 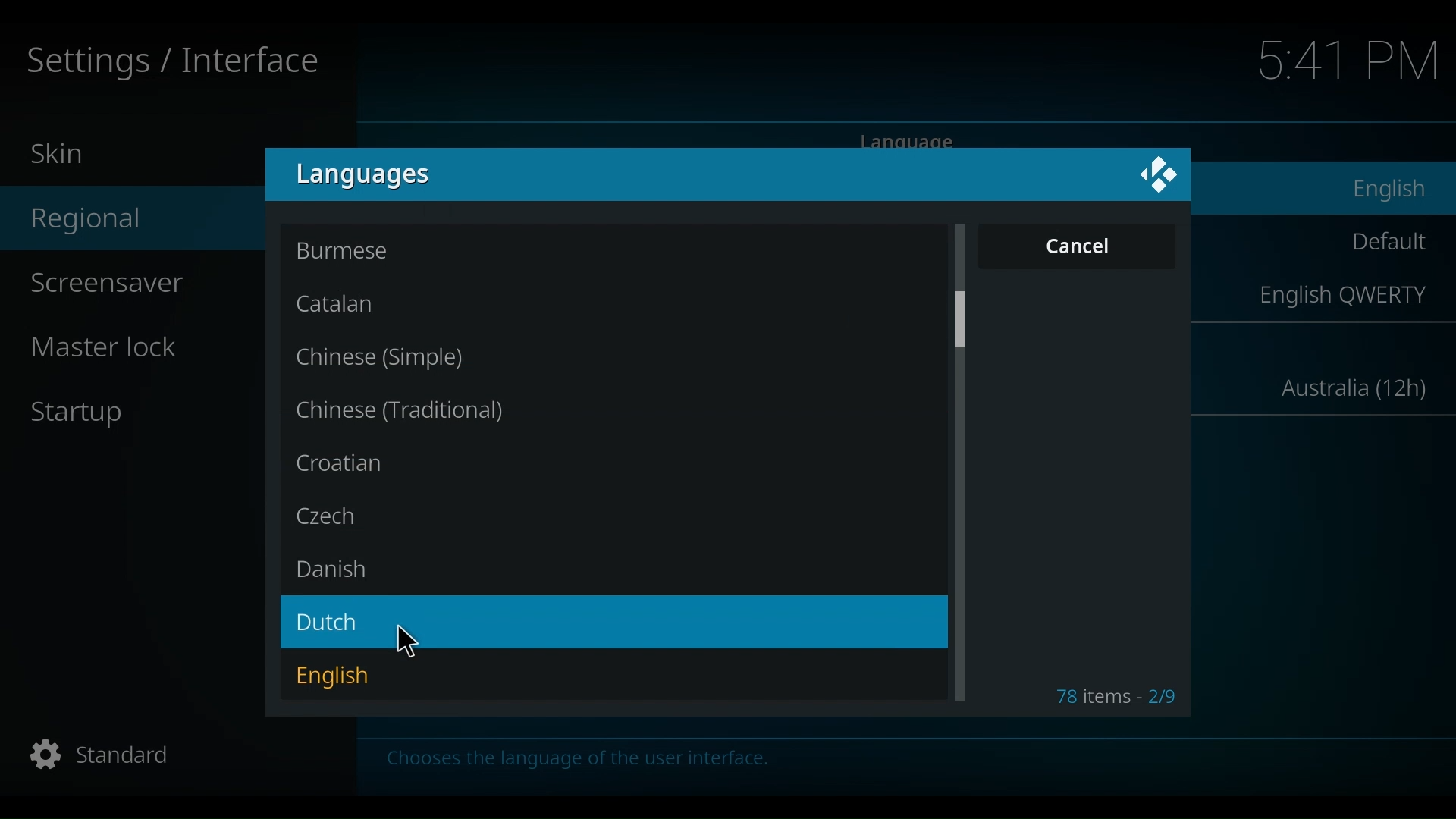 What do you see at coordinates (959, 318) in the screenshot?
I see `Vertical scroll bar` at bounding box center [959, 318].